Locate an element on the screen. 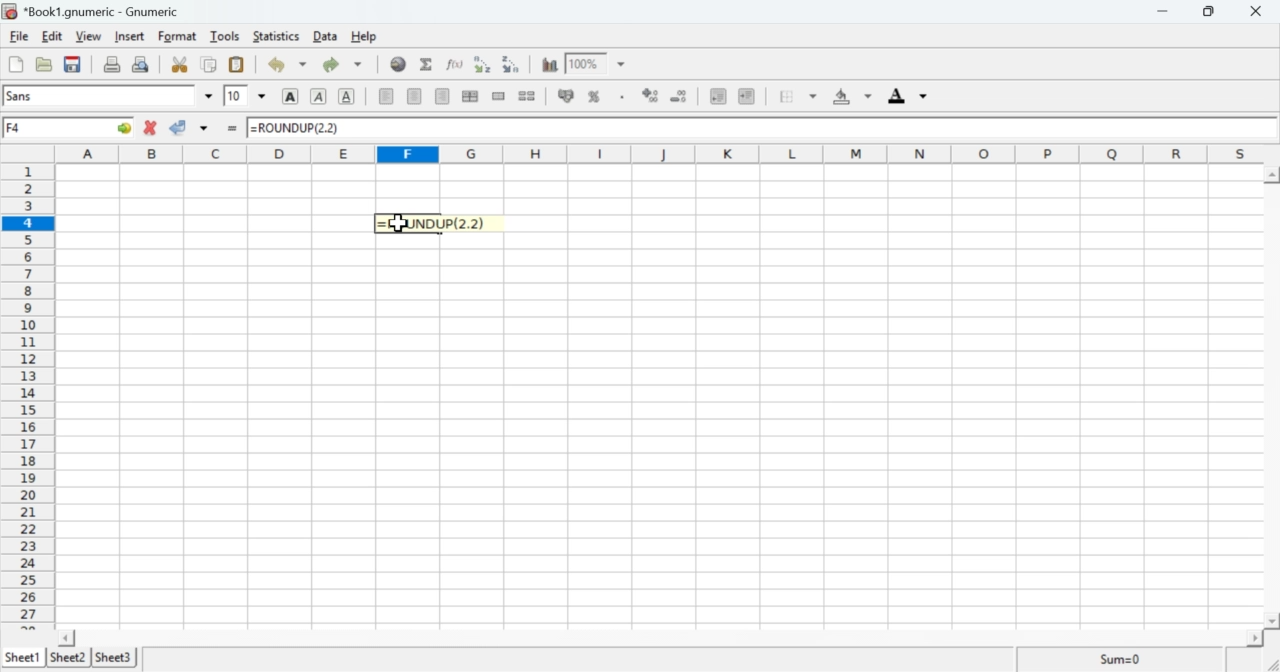 This screenshot has width=1280, height=672. Minimise is located at coordinates (1160, 12).